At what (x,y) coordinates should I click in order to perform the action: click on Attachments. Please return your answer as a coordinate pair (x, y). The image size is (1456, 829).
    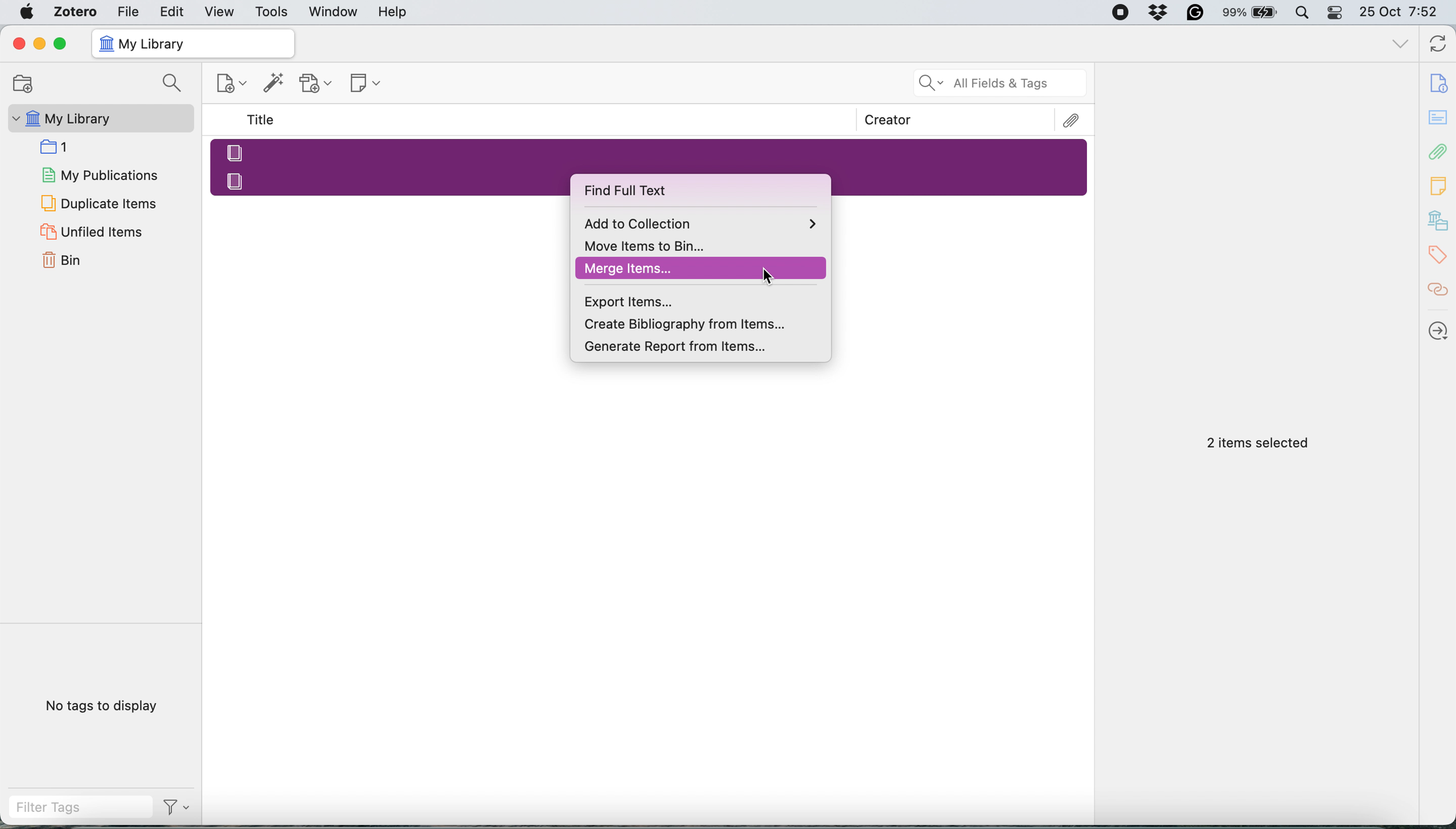
    Looking at the image, I should click on (1072, 121).